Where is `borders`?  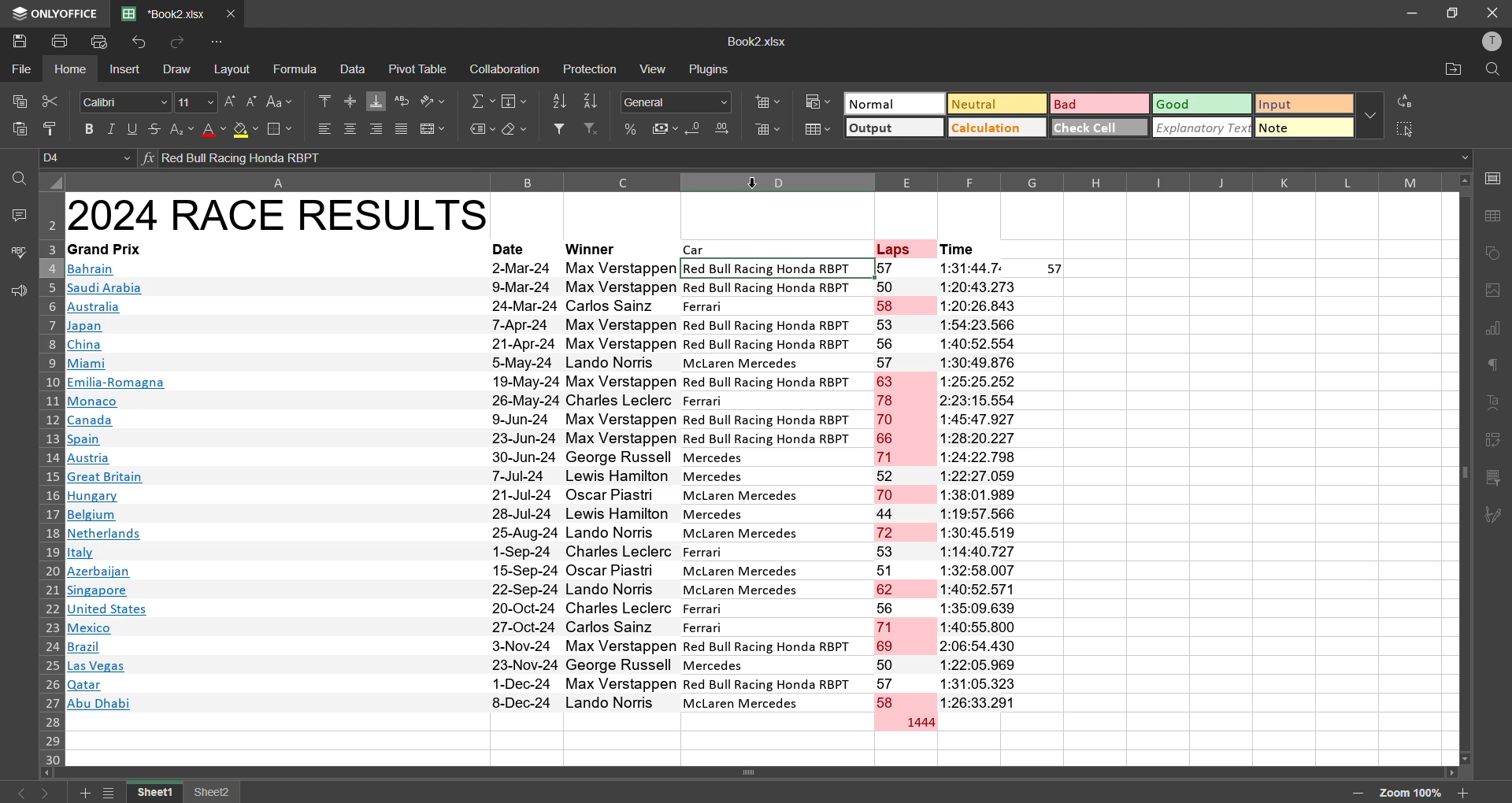 borders is located at coordinates (280, 130).